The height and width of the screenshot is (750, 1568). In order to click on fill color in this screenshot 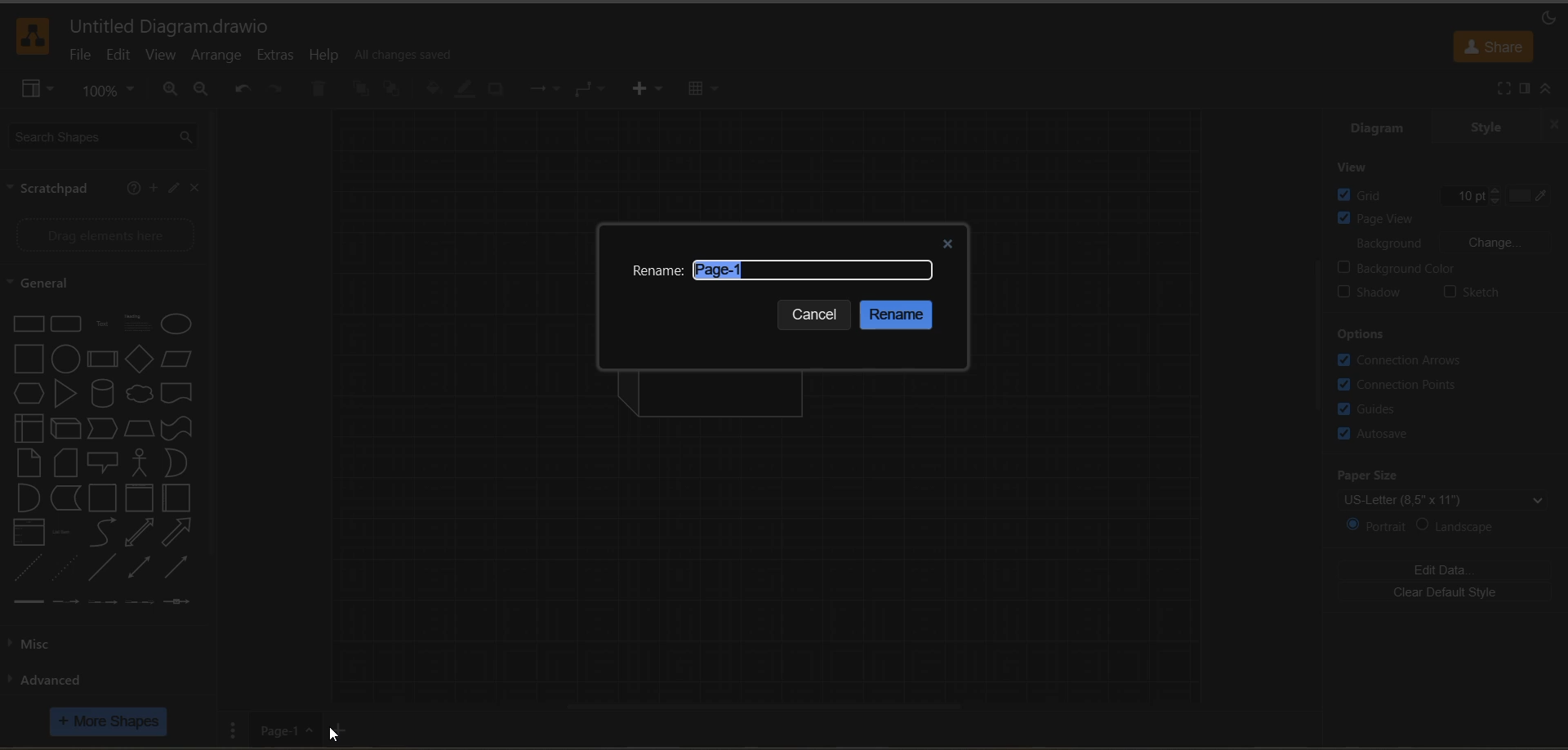, I will do `click(436, 89)`.